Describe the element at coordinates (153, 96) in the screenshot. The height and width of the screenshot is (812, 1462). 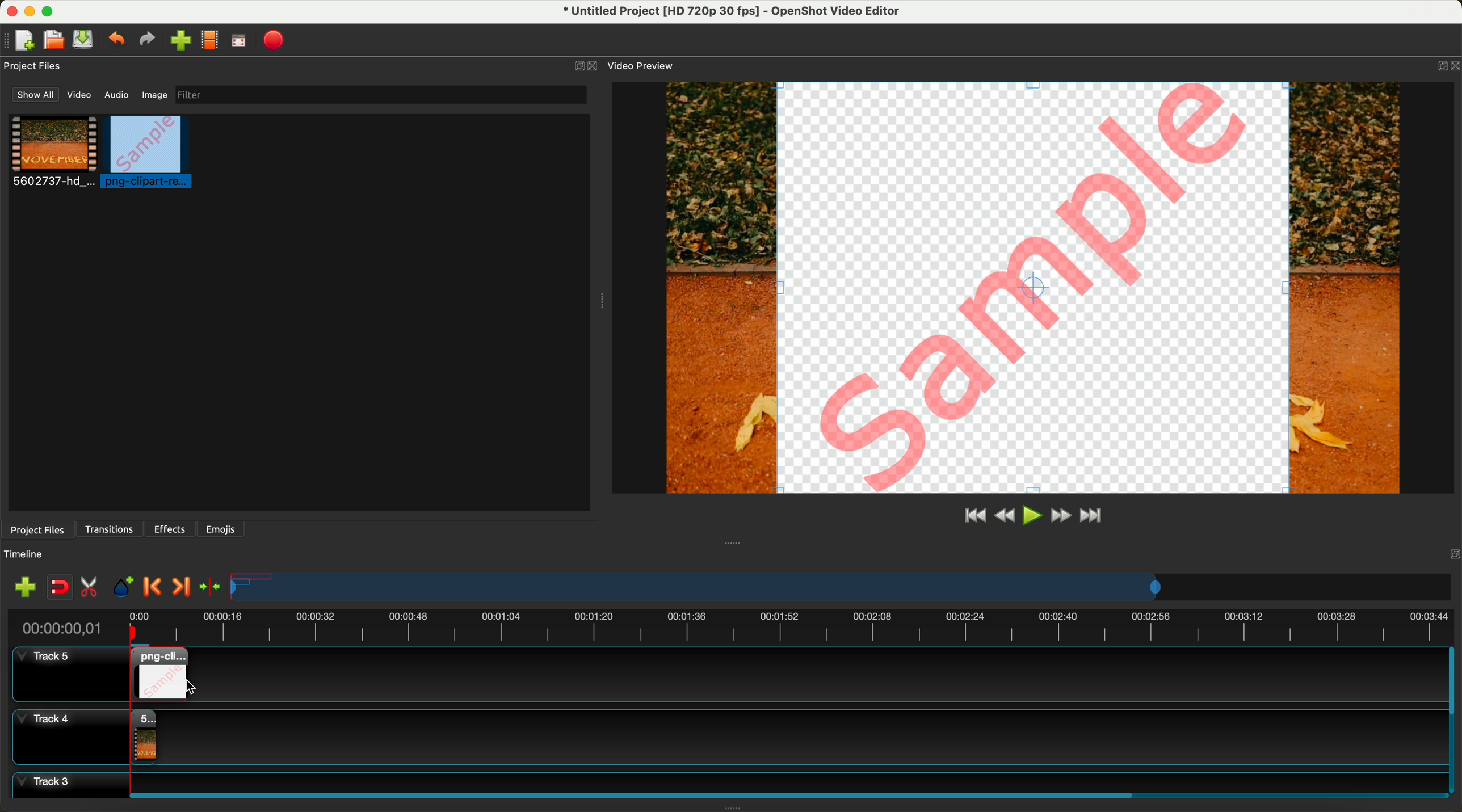
I see `image` at that location.